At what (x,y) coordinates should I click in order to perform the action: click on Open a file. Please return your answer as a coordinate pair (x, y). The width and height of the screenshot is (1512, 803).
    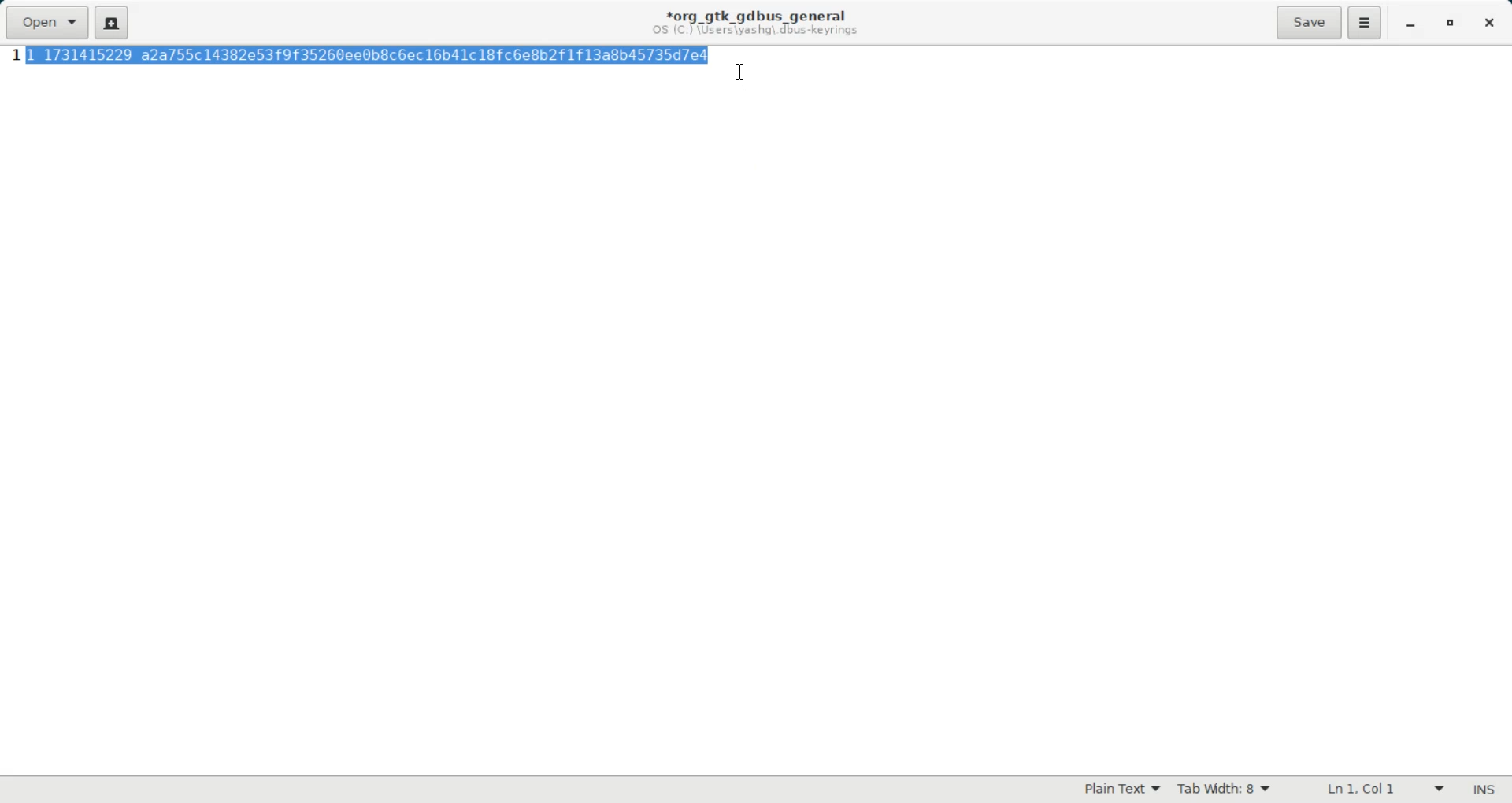
    Looking at the image, I should click on (46, 22).